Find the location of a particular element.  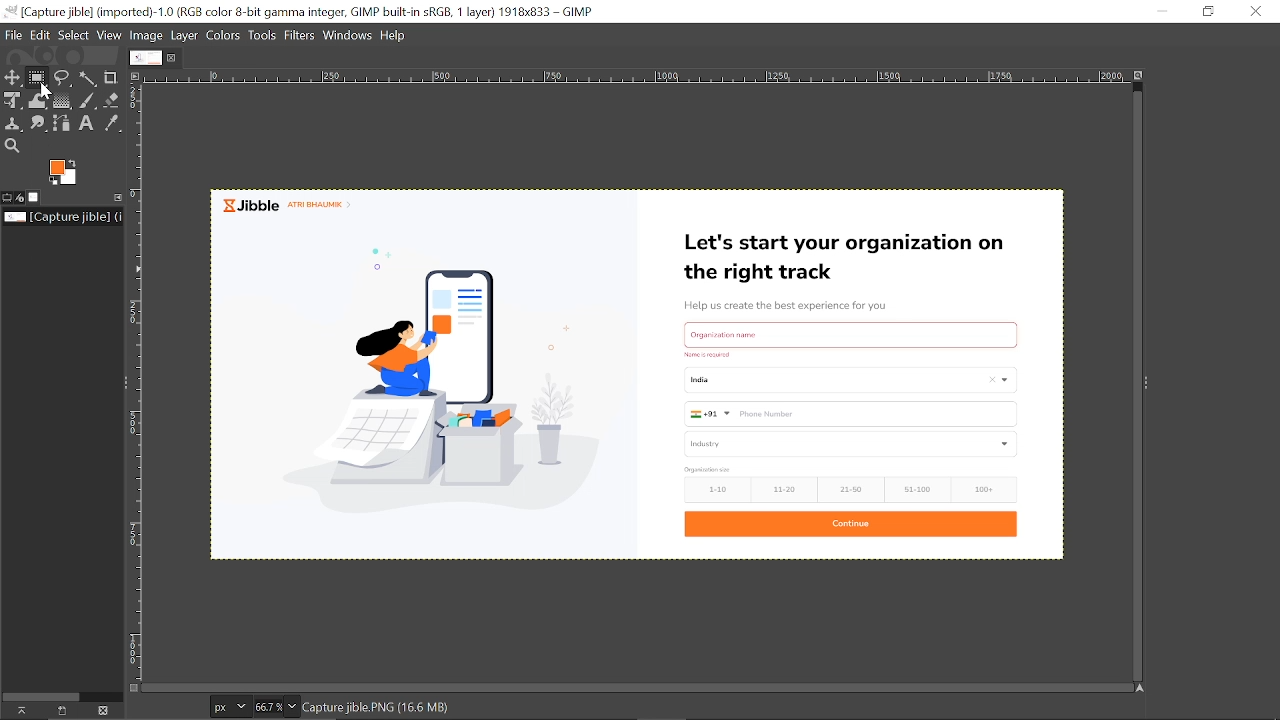

Tool options is located at coordinates (7, 198).